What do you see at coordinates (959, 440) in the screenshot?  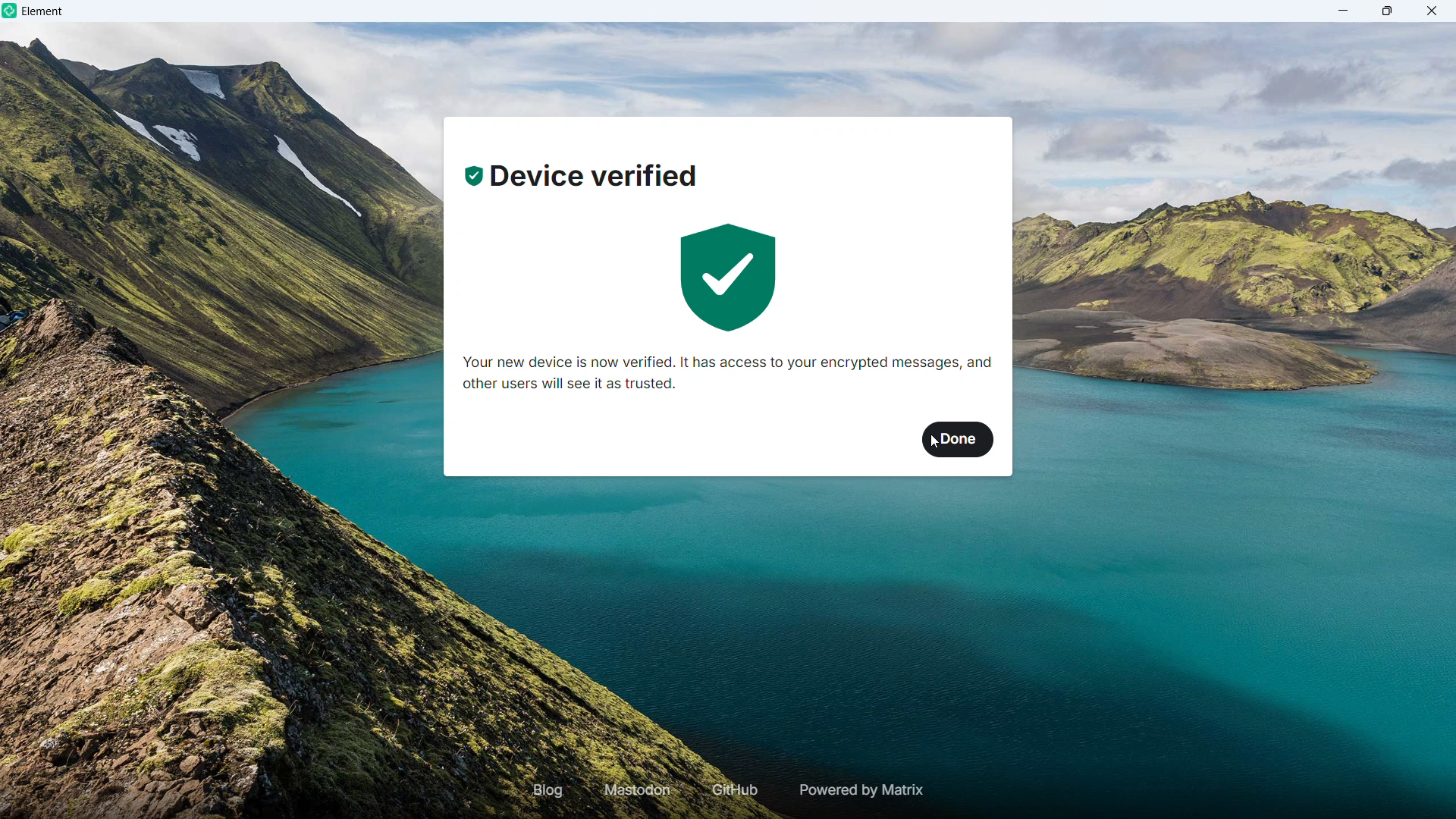 I see `done ` at bounding box center [959, 440].